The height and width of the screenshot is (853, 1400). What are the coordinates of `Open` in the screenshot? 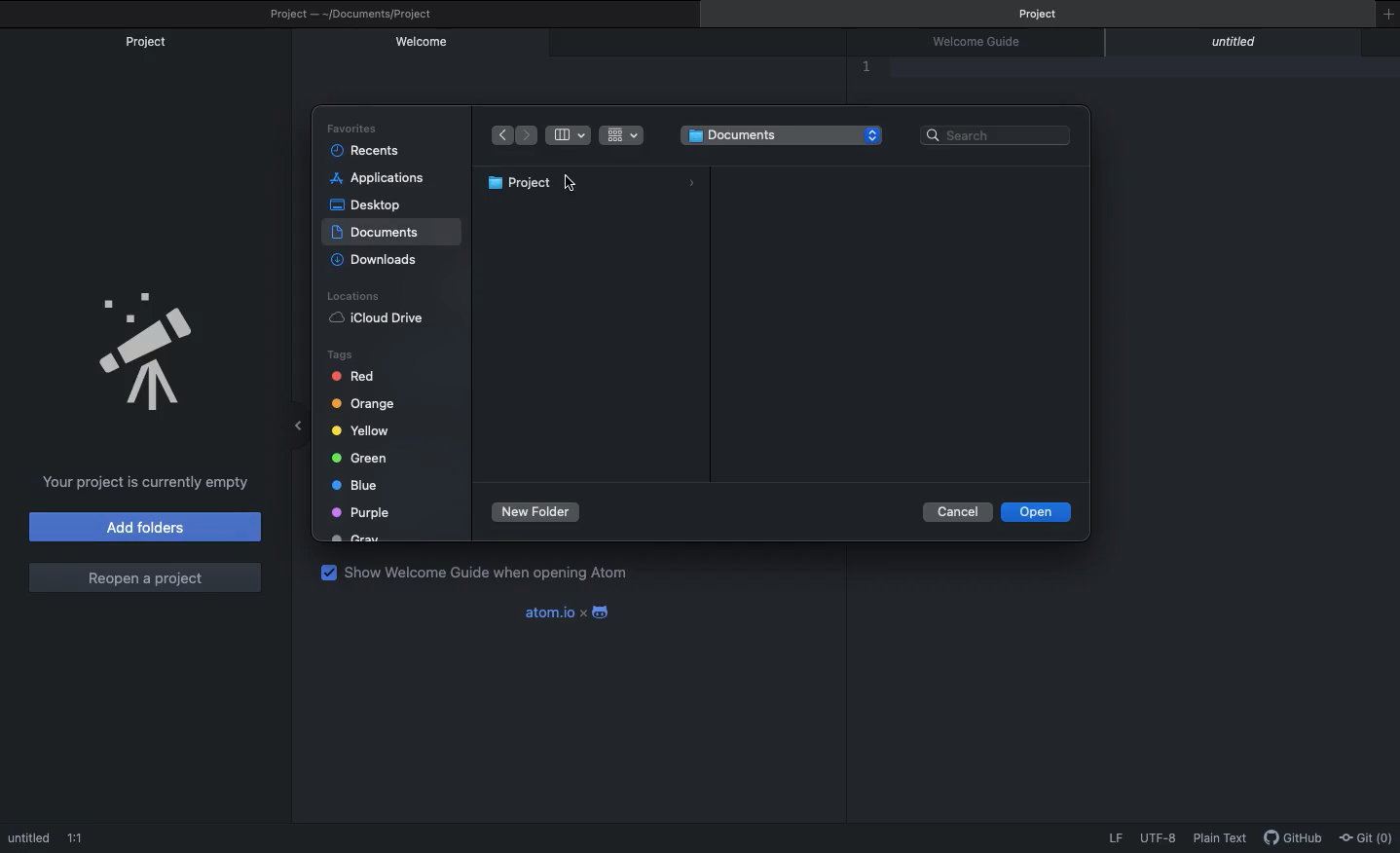 It's located at (1041, 512).